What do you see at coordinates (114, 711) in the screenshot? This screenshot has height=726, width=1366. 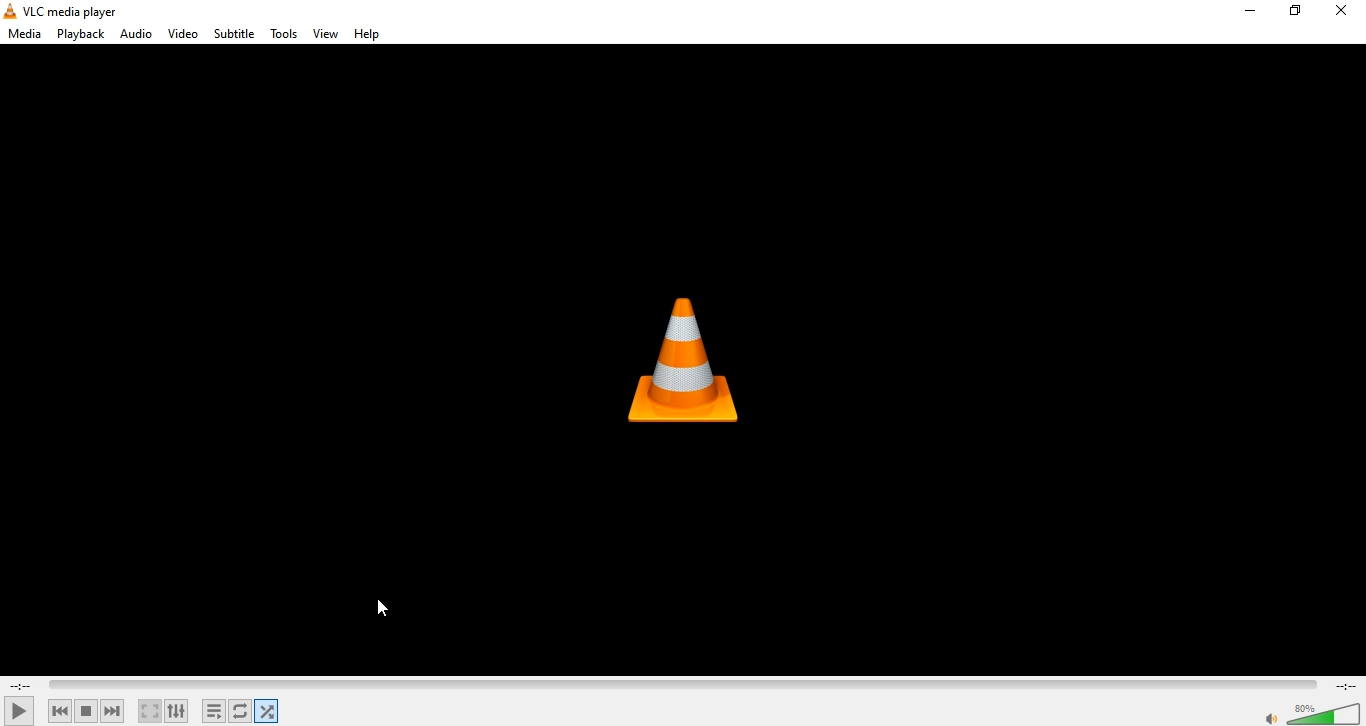 I see `next media in the playlist` at bounding box center [114, 711].